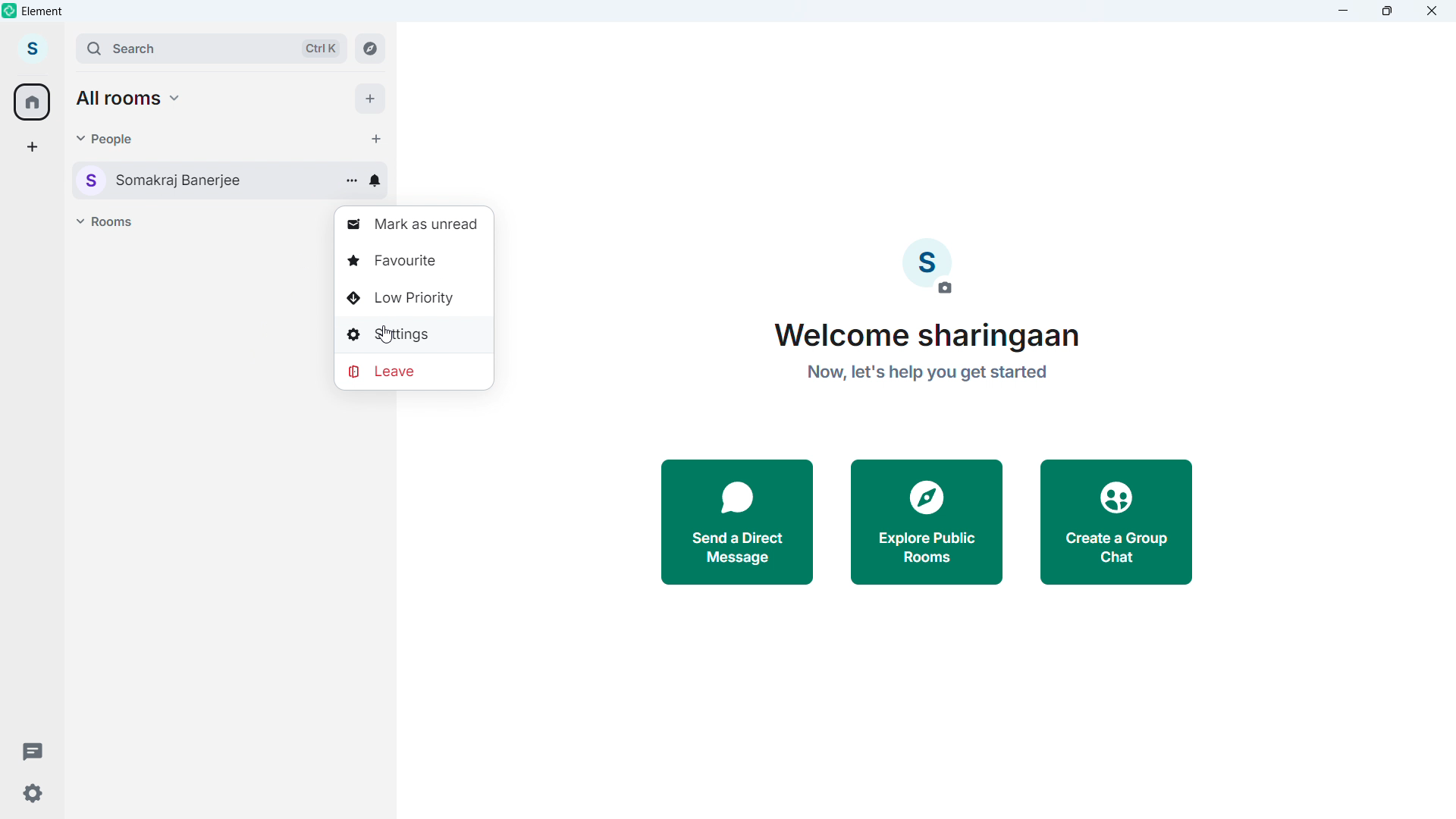 The height and width of the screenshot is (819, 1456). Describe the element at coordinates (1385, 12) in the screenshot. I see `maximize` at that location.